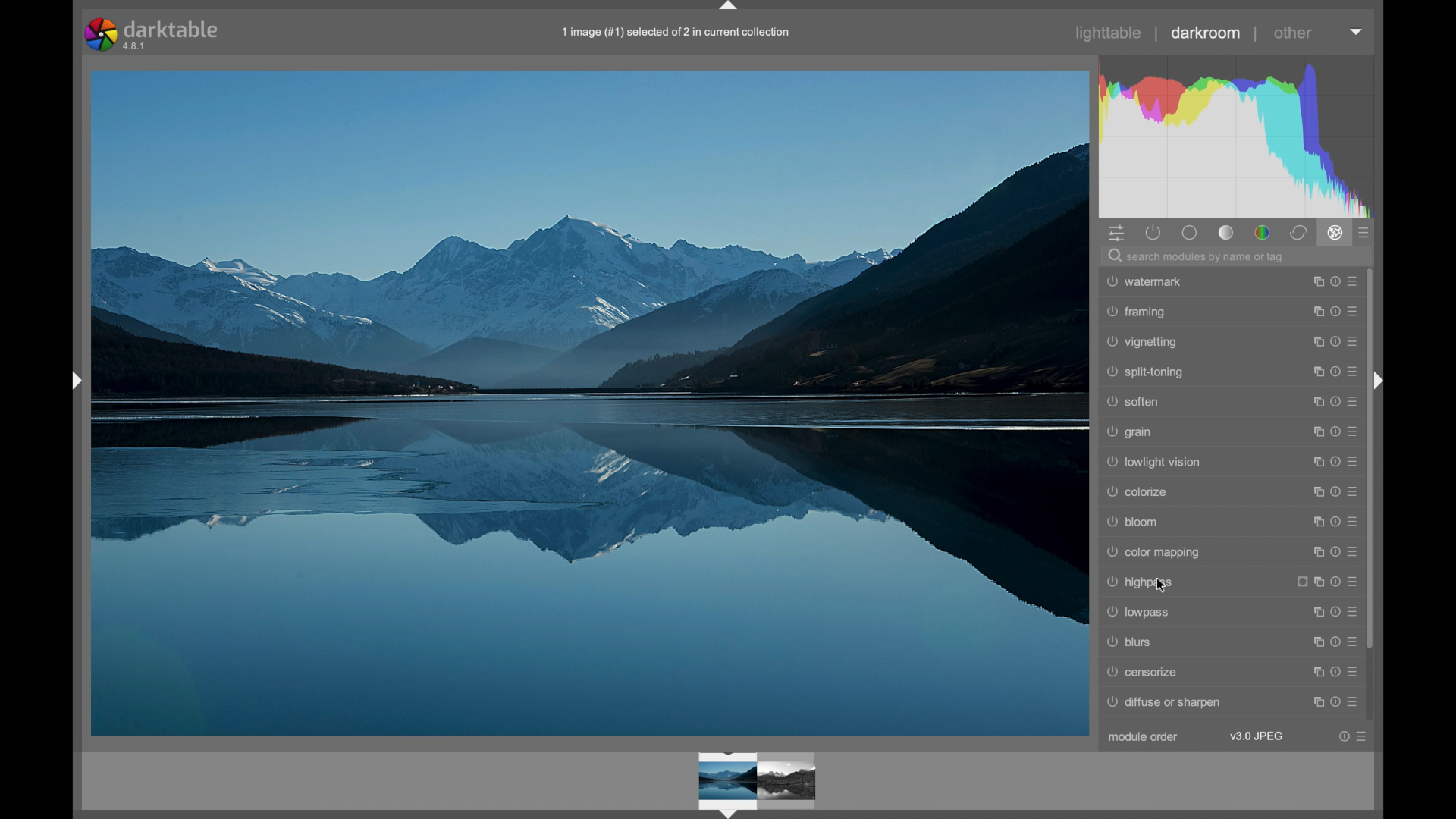 This screenshot has height=819, width=1456. What do you see at coordinates (1134, 401) in the screenshot?
I see `soften` at bounding box center [1134, 401].